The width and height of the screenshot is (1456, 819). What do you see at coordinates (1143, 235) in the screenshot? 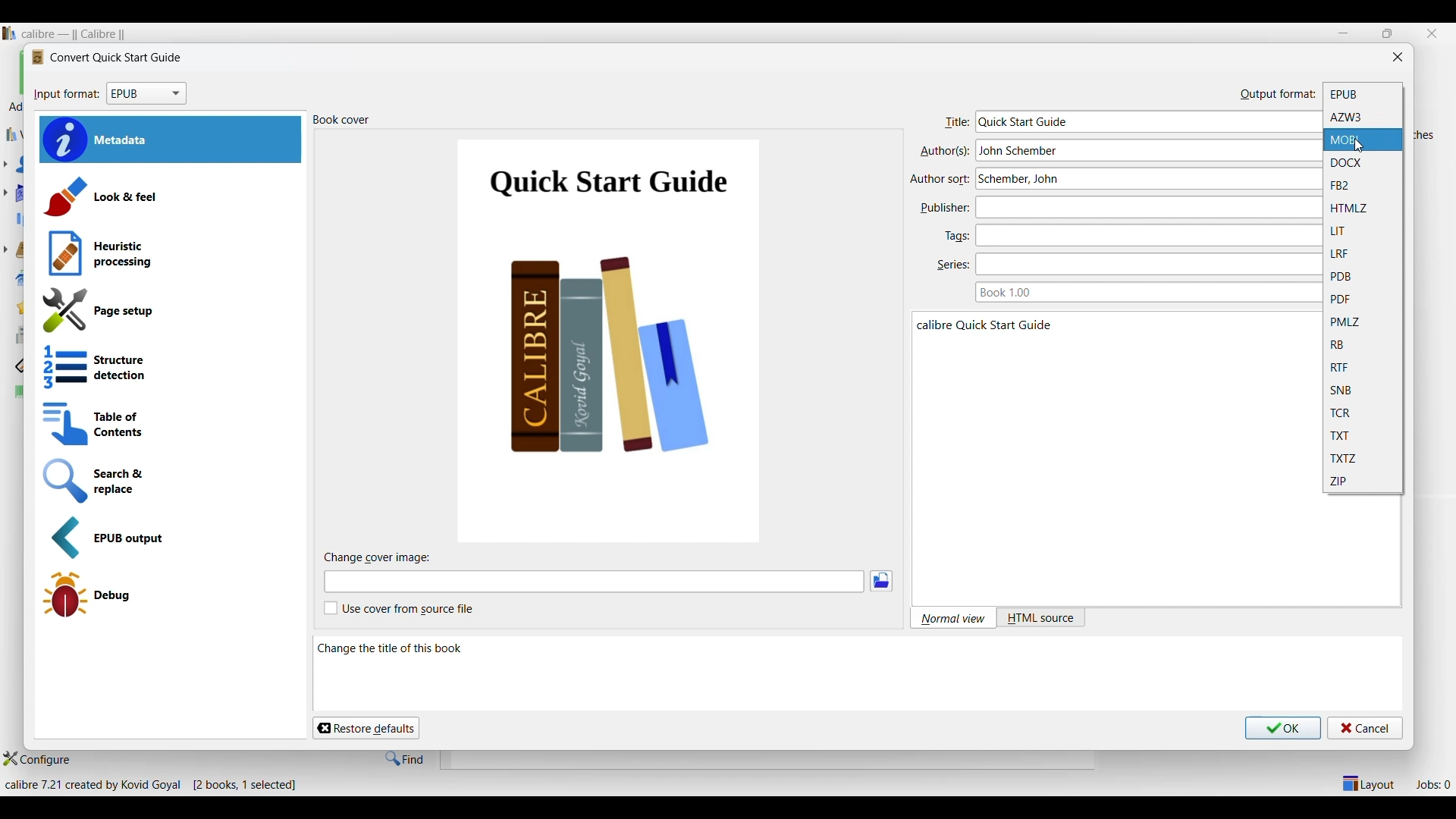
I see `Type in tags` at bounding box center [1143, 235].